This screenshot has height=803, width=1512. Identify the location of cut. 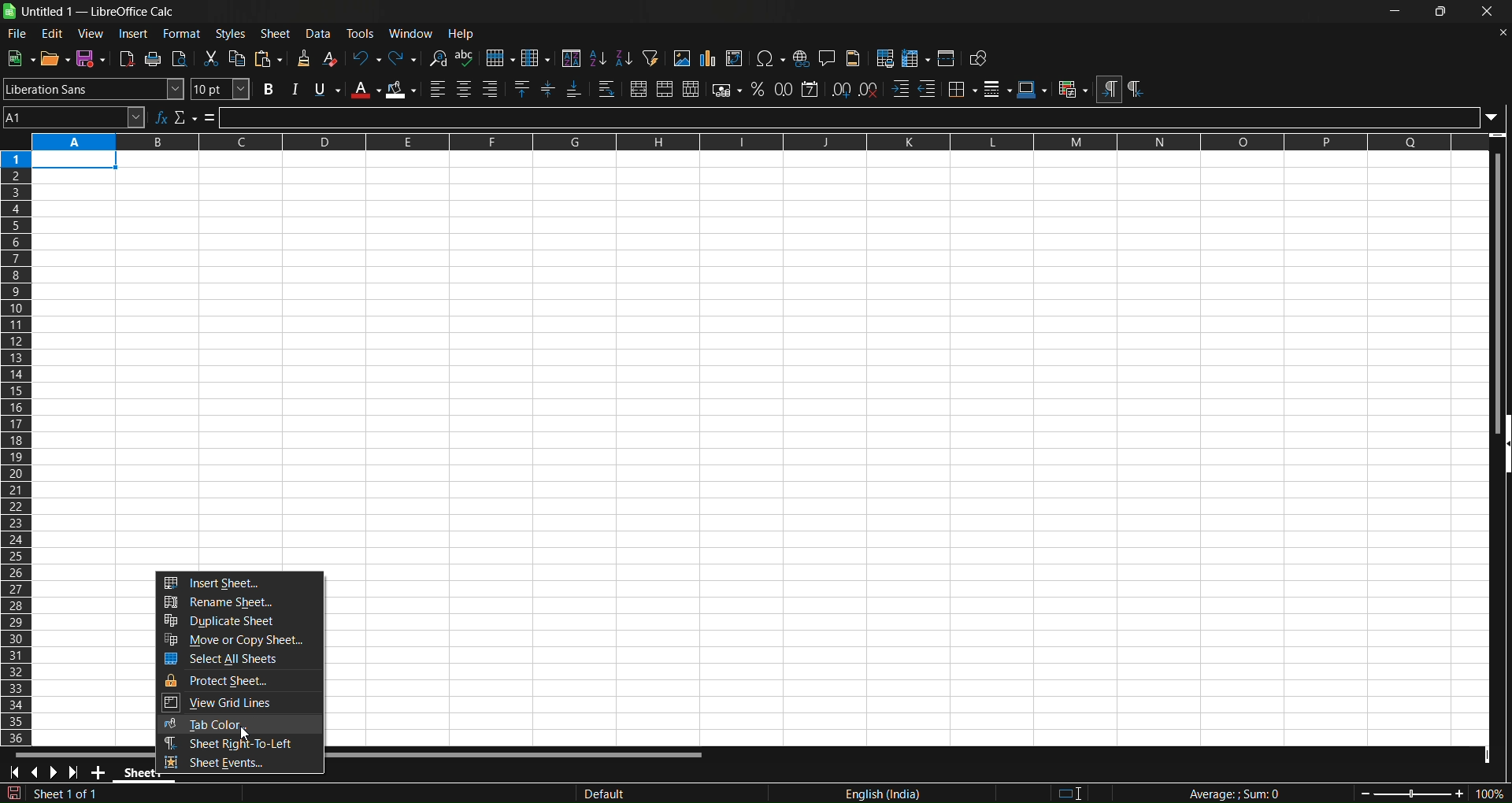
(213, 58).